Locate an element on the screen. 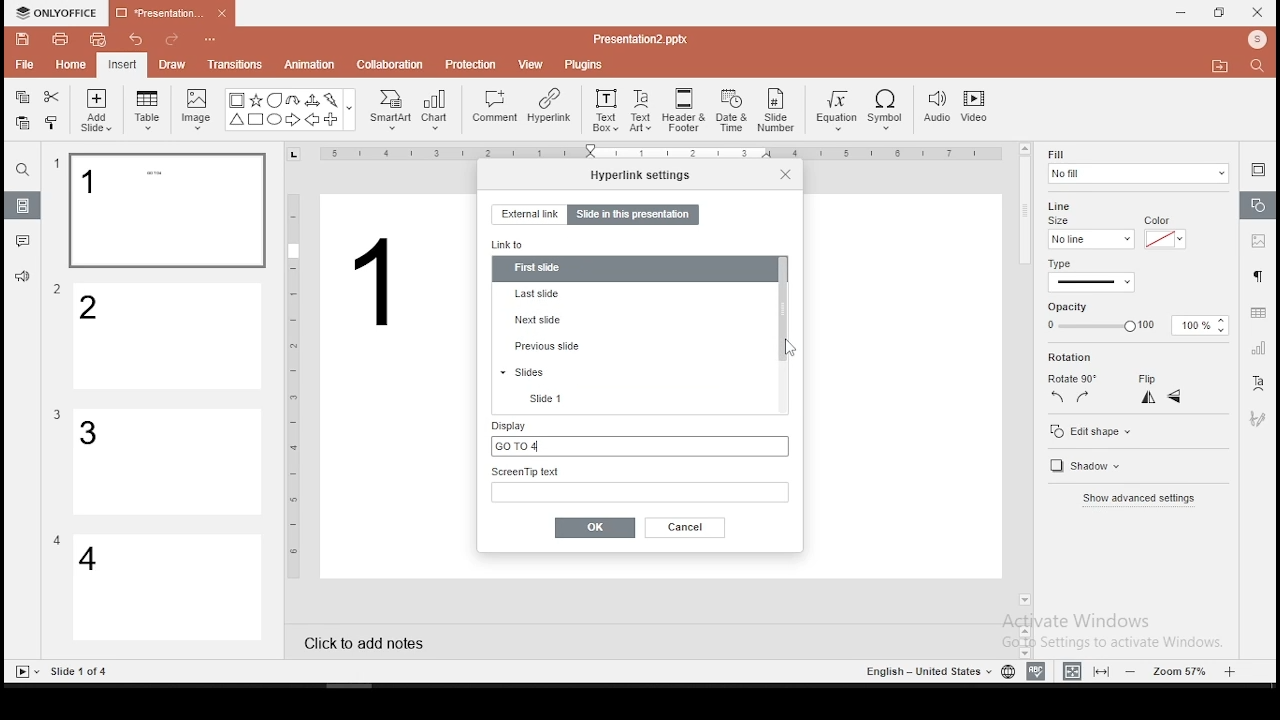  flip horizontal is located at coordinates (1146, 397).